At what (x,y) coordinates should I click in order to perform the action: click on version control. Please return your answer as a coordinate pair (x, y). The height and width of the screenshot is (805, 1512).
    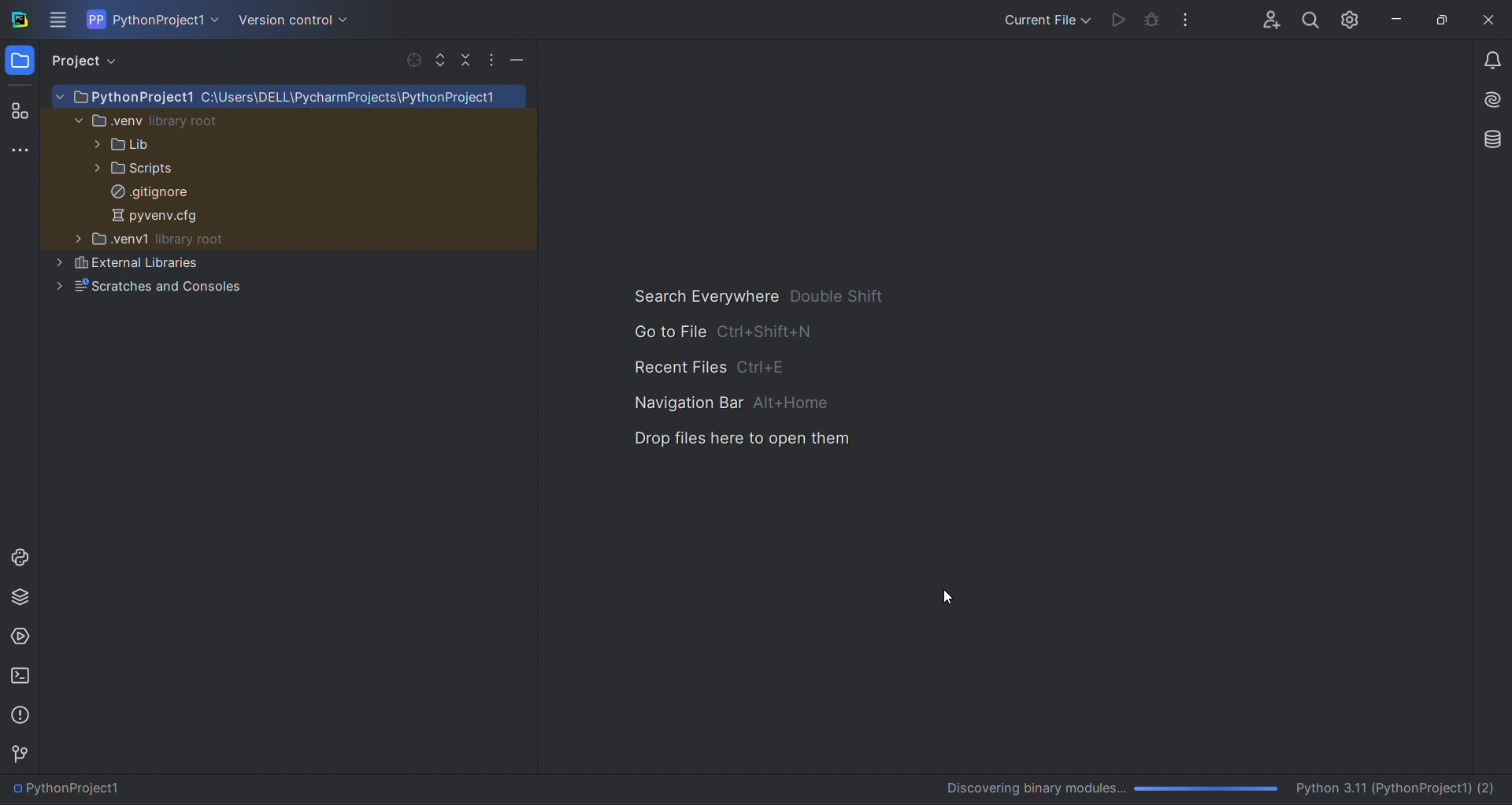
    Looking at the image, I should click on (291, 20).